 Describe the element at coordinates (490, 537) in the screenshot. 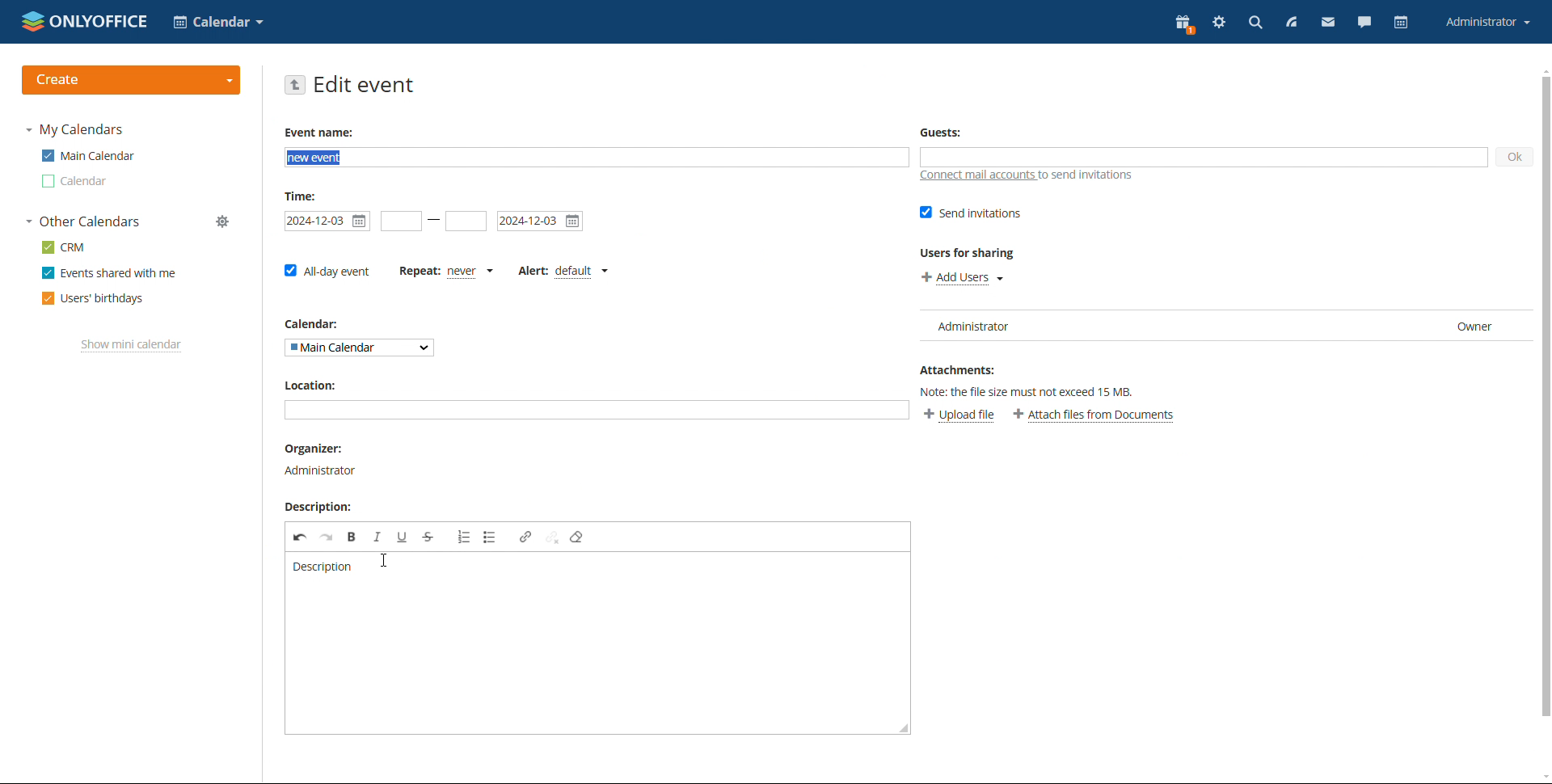

I see `insert/remove bulleted list` at that location.